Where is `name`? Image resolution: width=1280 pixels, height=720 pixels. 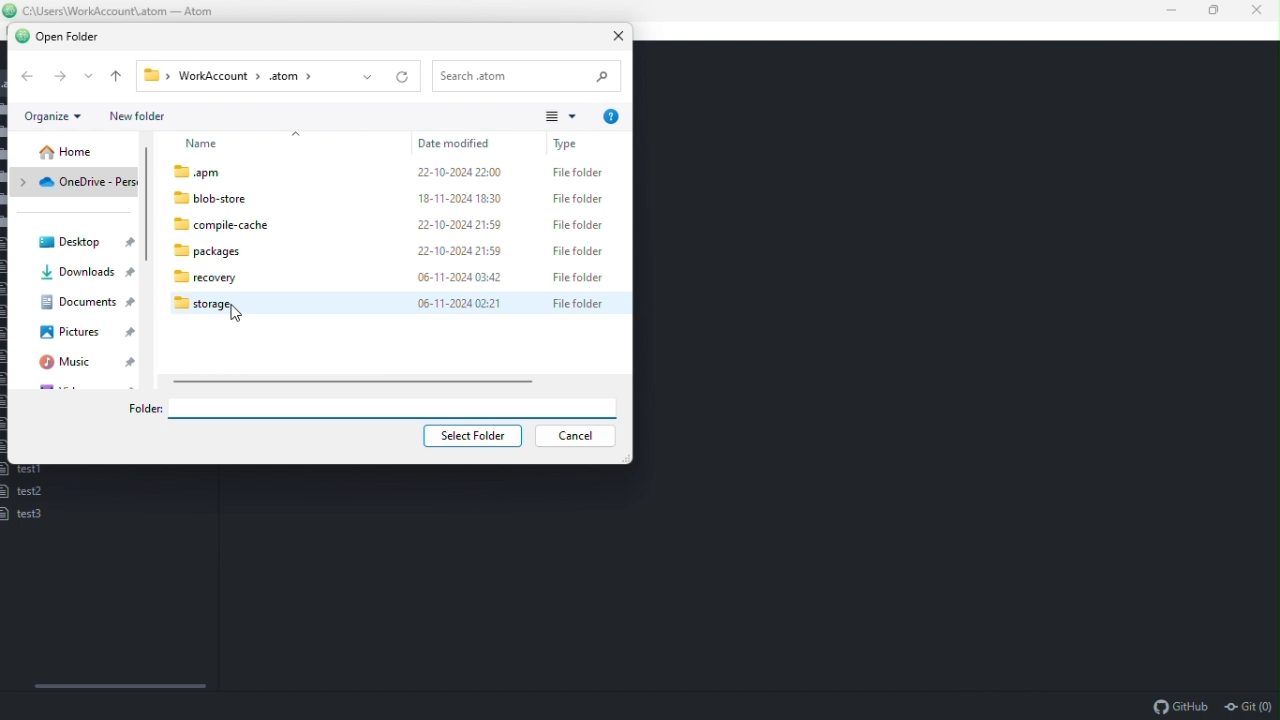 name is located at coordinates (246, 143).